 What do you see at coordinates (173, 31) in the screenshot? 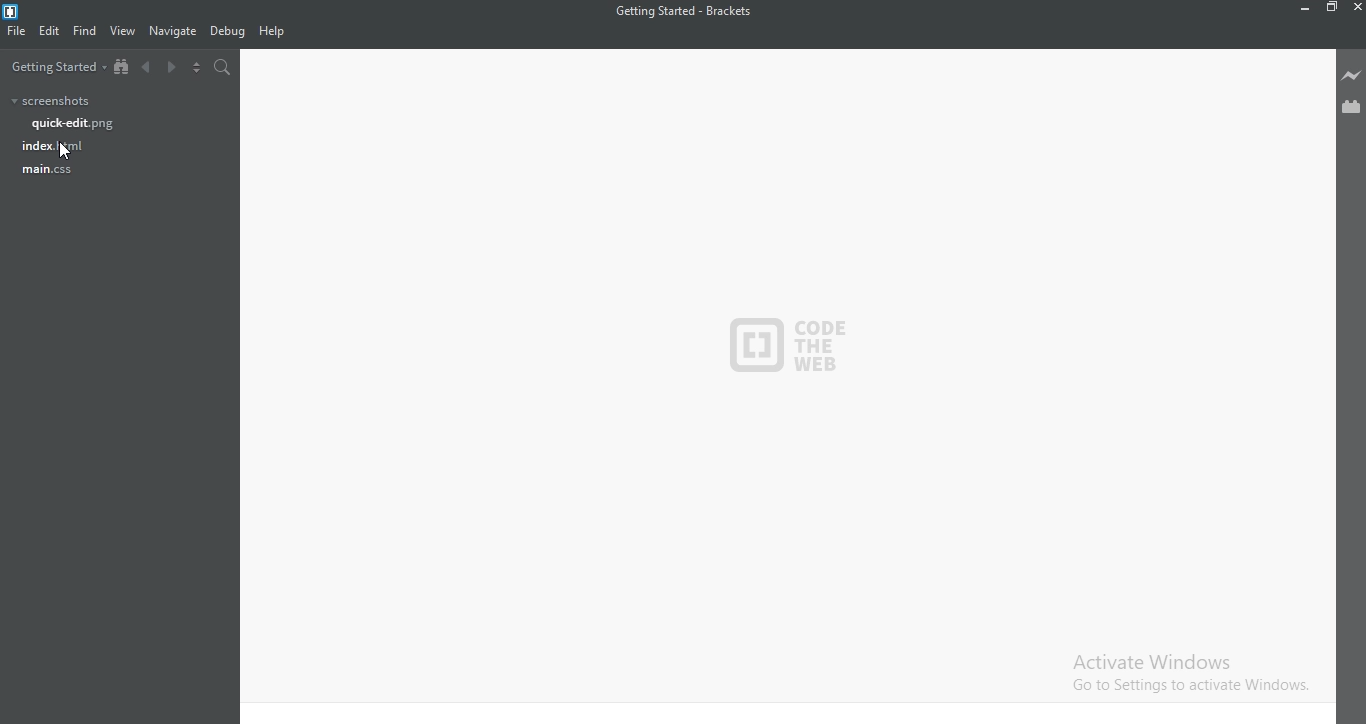
I see `navigate` at bounding box center [173, 31].